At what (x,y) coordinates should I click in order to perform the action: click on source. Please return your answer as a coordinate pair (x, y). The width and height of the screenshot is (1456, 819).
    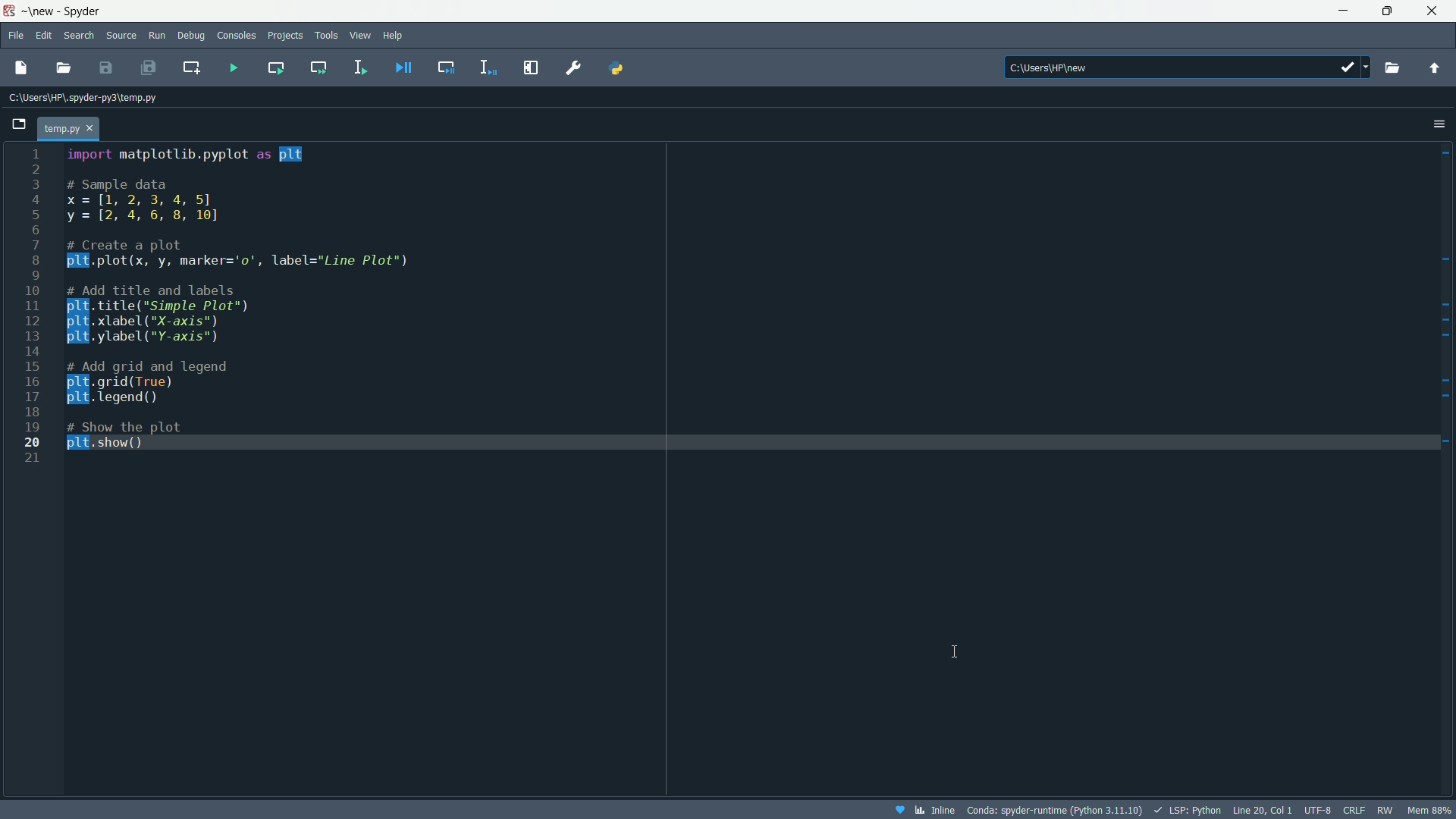
    Looking at the image, I should click on (122, 36).